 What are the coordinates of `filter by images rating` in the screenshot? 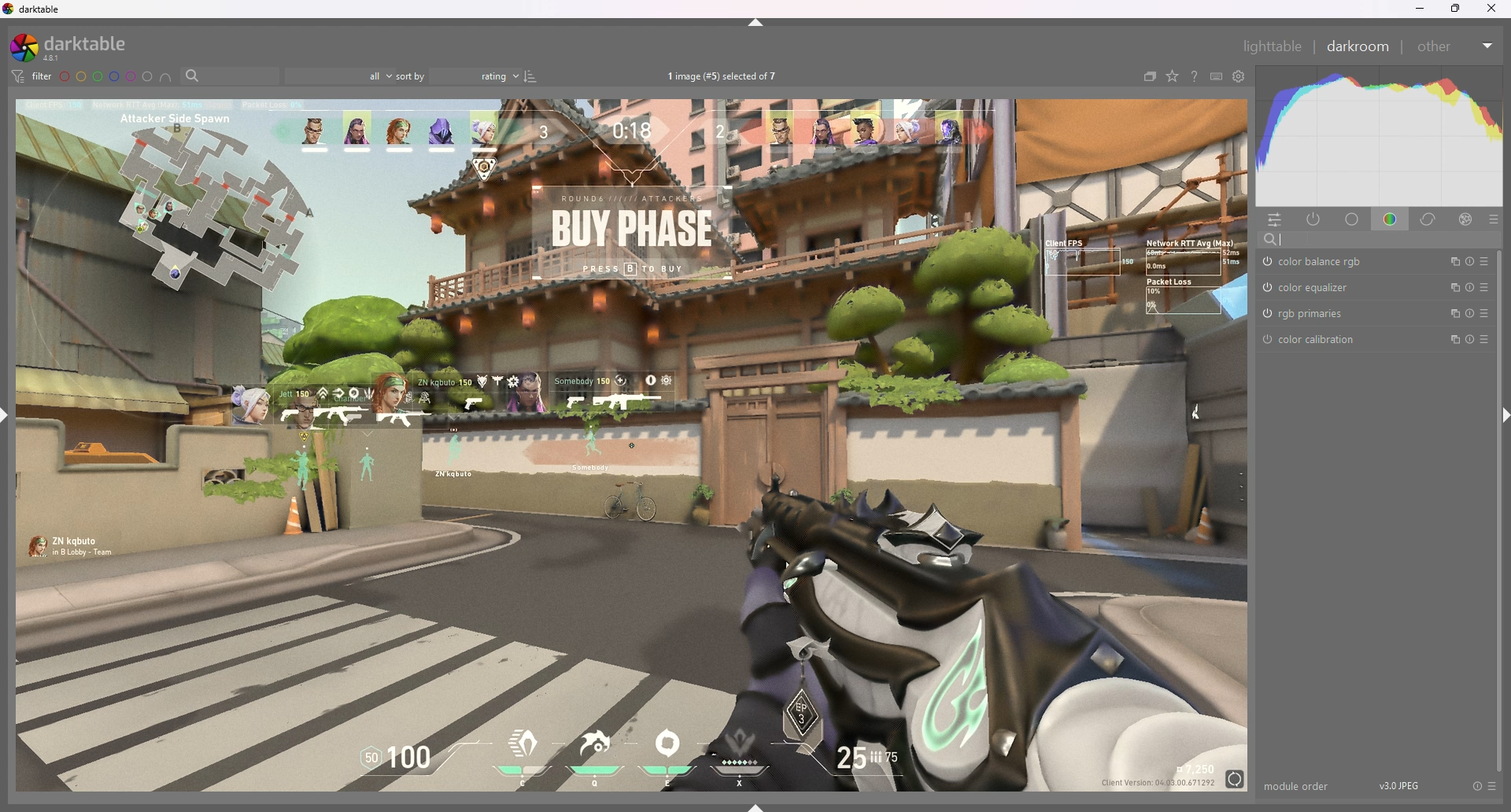 It's located at (339, 75).